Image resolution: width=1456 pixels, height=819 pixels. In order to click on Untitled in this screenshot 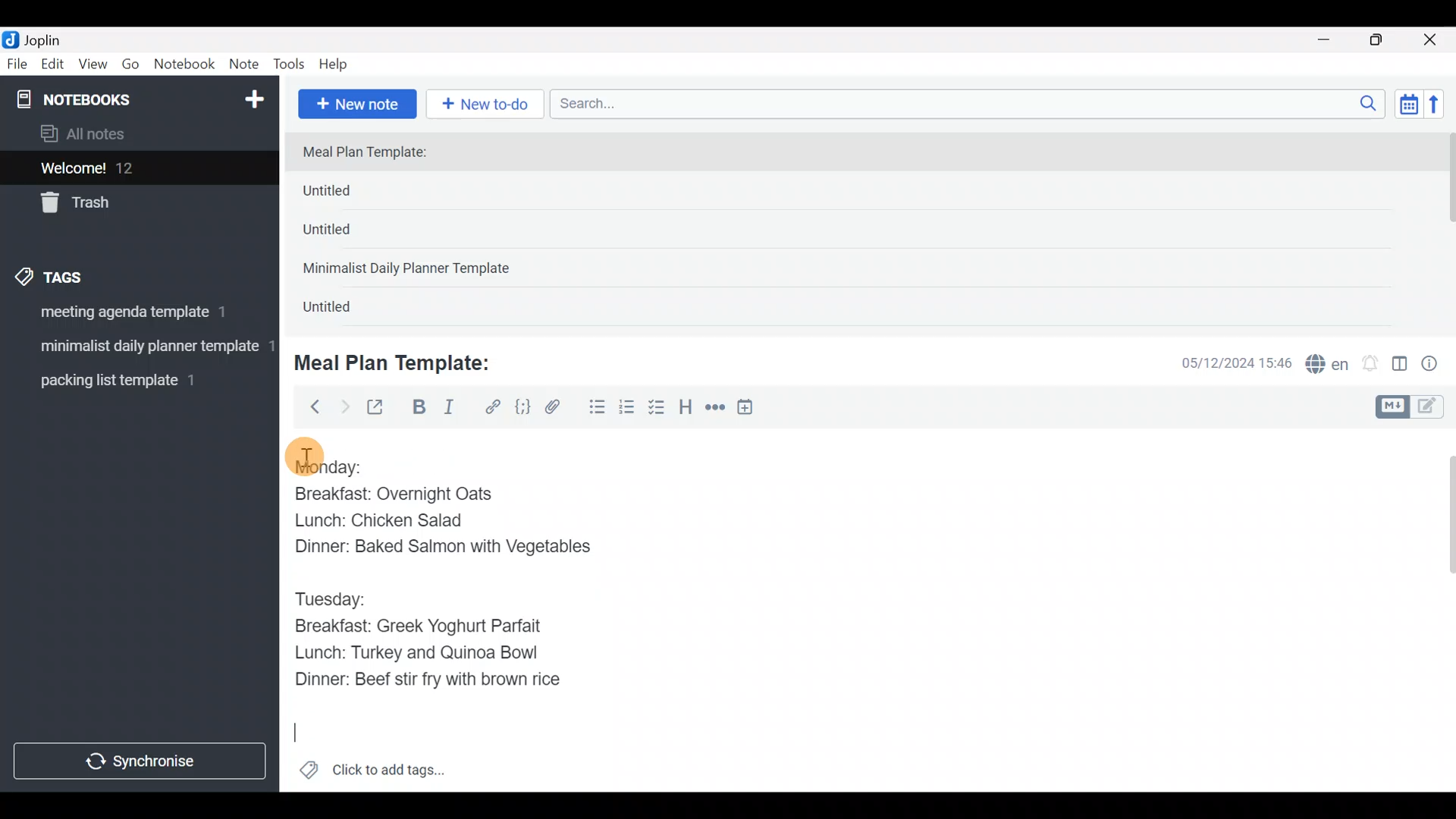, I will do `click(344, 310)`.